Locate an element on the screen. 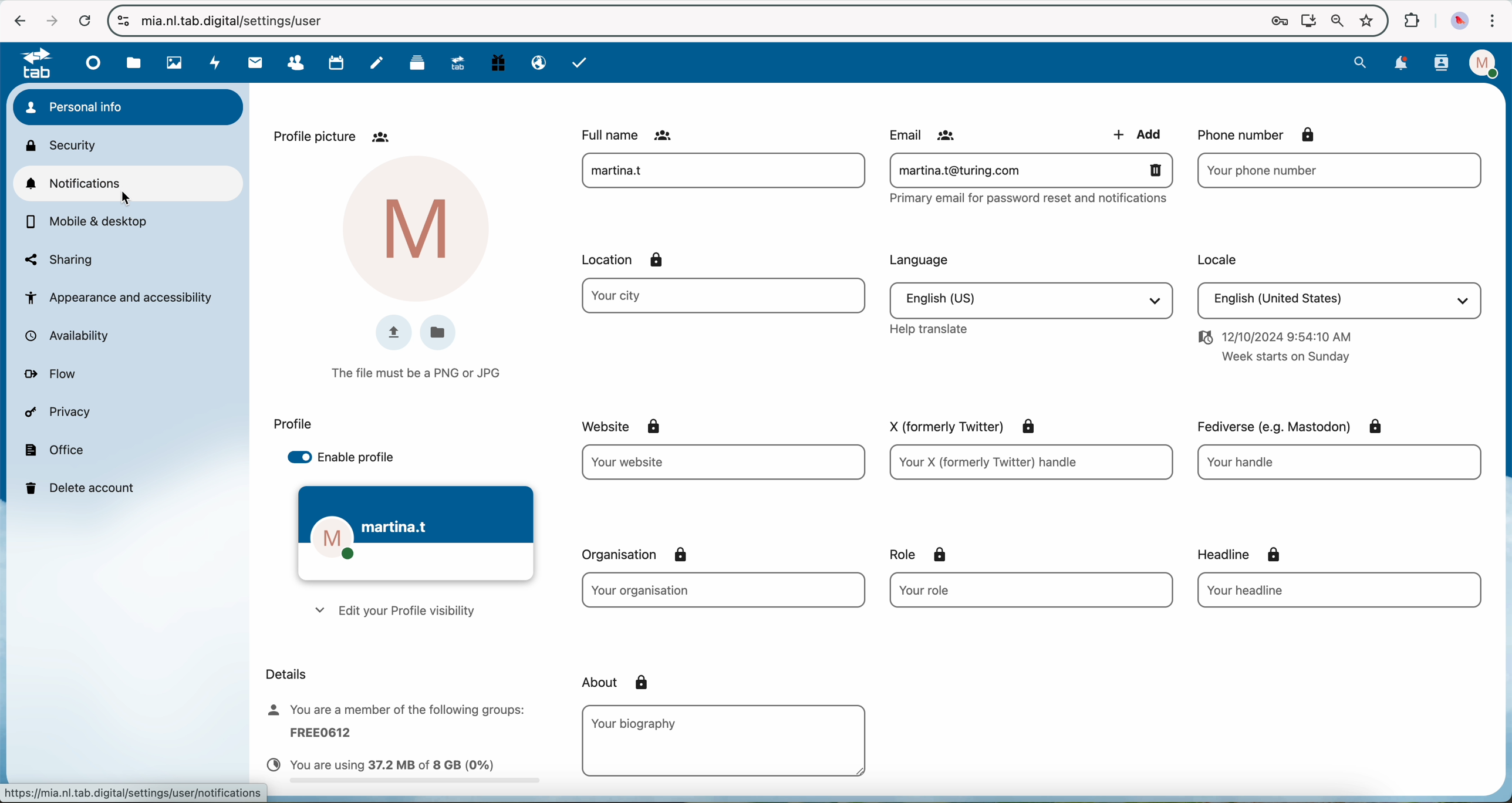  headline is located at coordinates (1240, 556).